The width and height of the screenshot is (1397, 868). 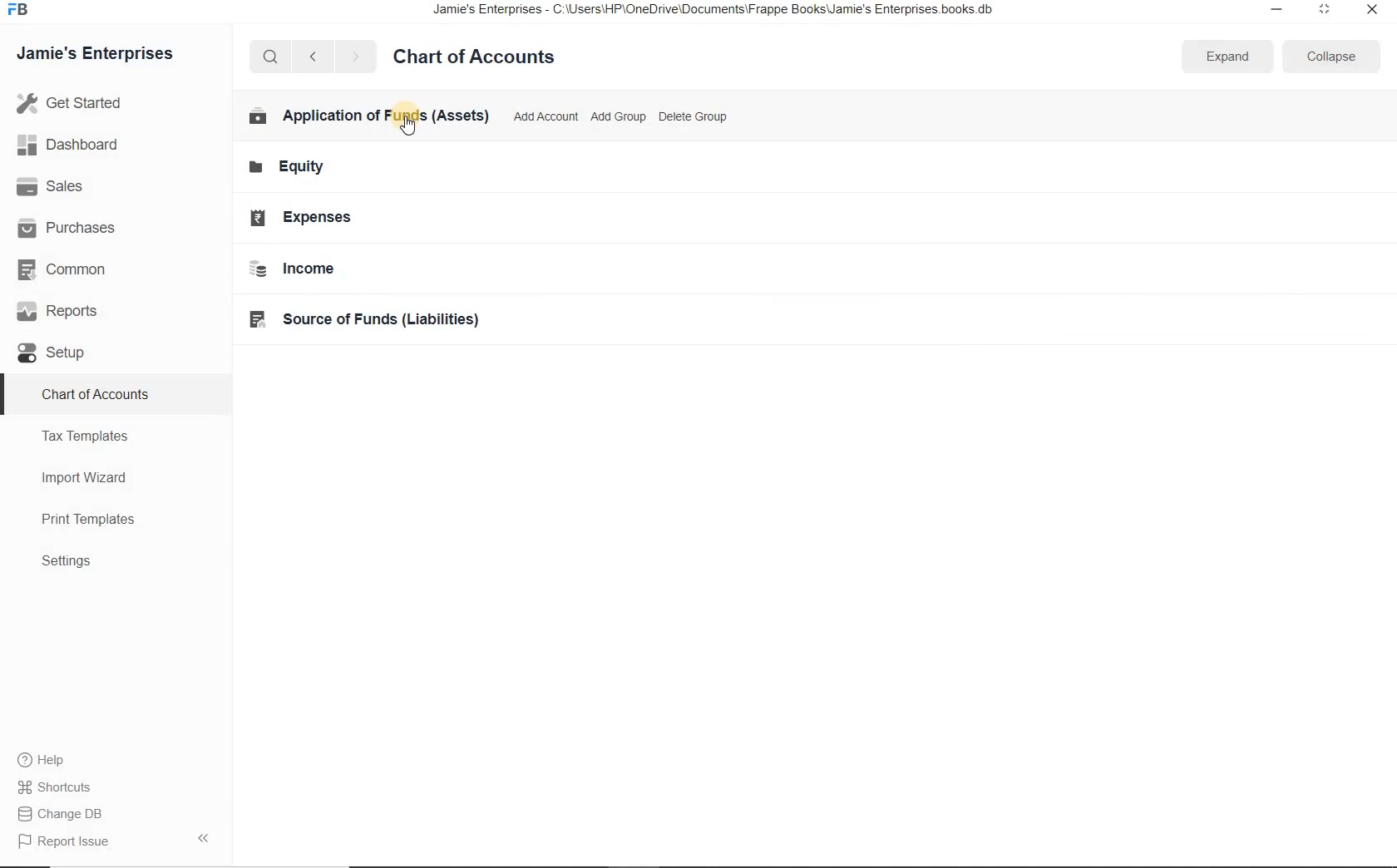 What do you see at coordinates (695, 116) in the screenshot?
I see `Delete Group` at bounding box center [695, 116].